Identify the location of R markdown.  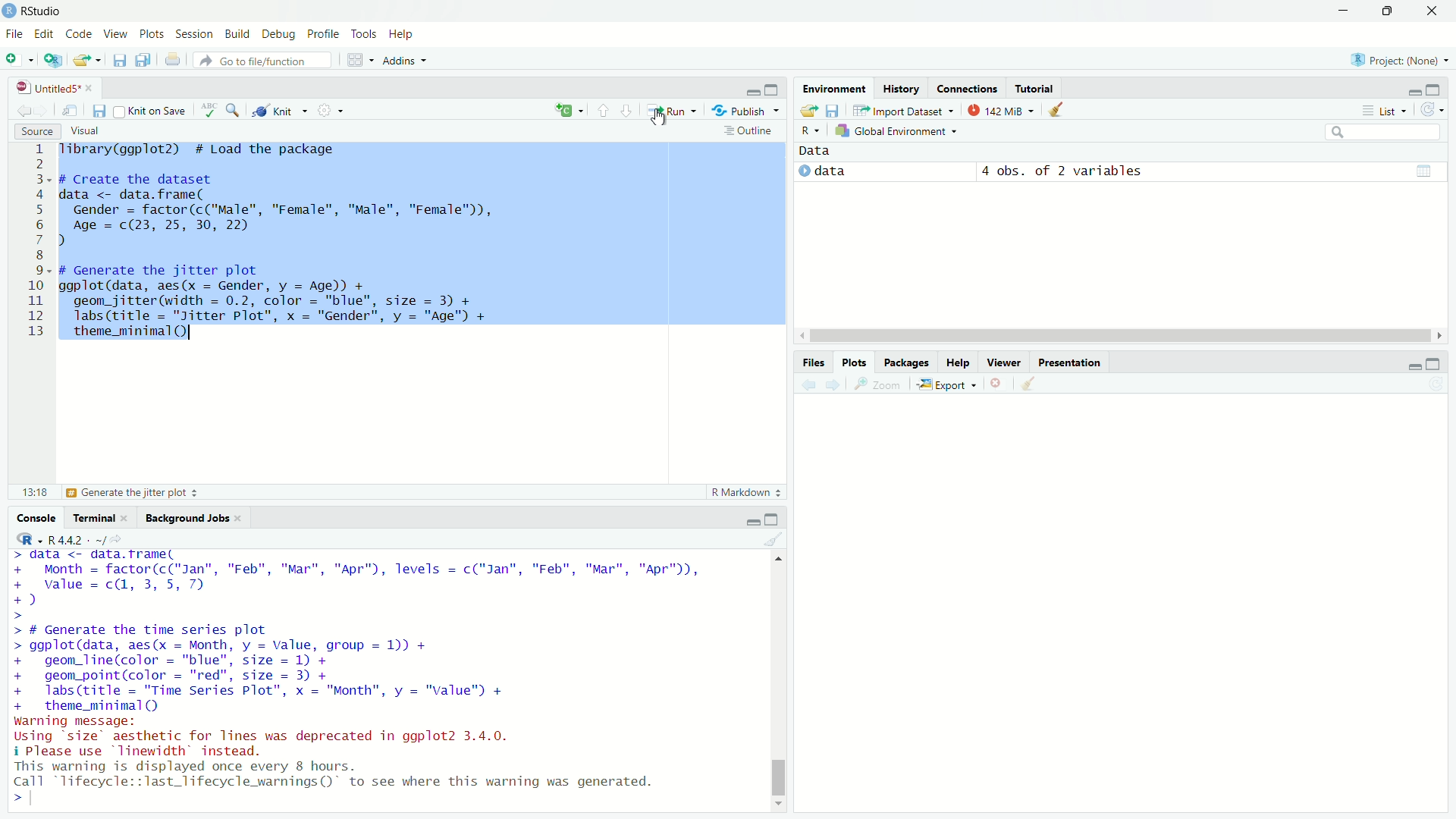
(746, 491).